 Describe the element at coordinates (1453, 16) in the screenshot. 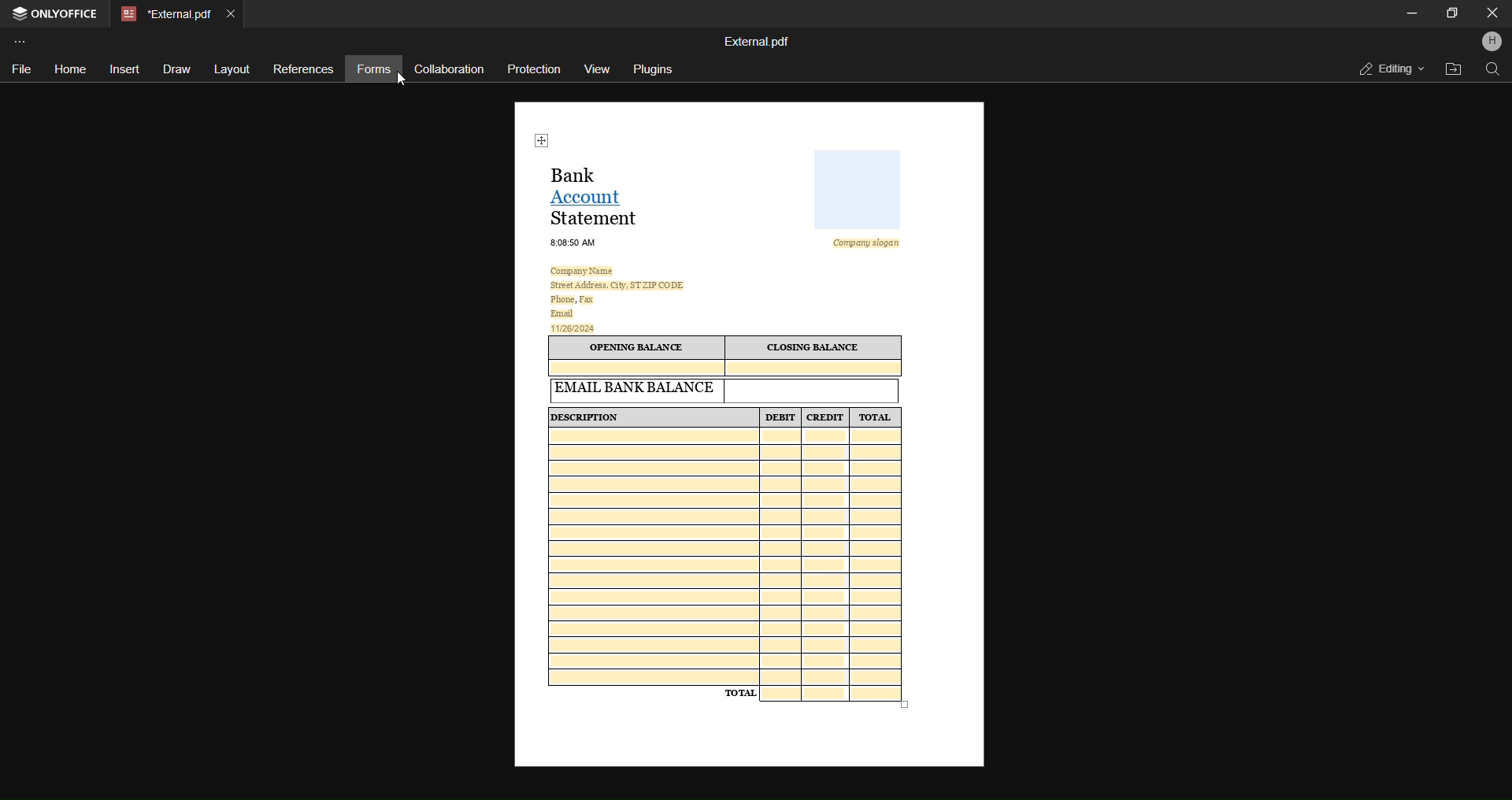

I see `maximize` at that location.